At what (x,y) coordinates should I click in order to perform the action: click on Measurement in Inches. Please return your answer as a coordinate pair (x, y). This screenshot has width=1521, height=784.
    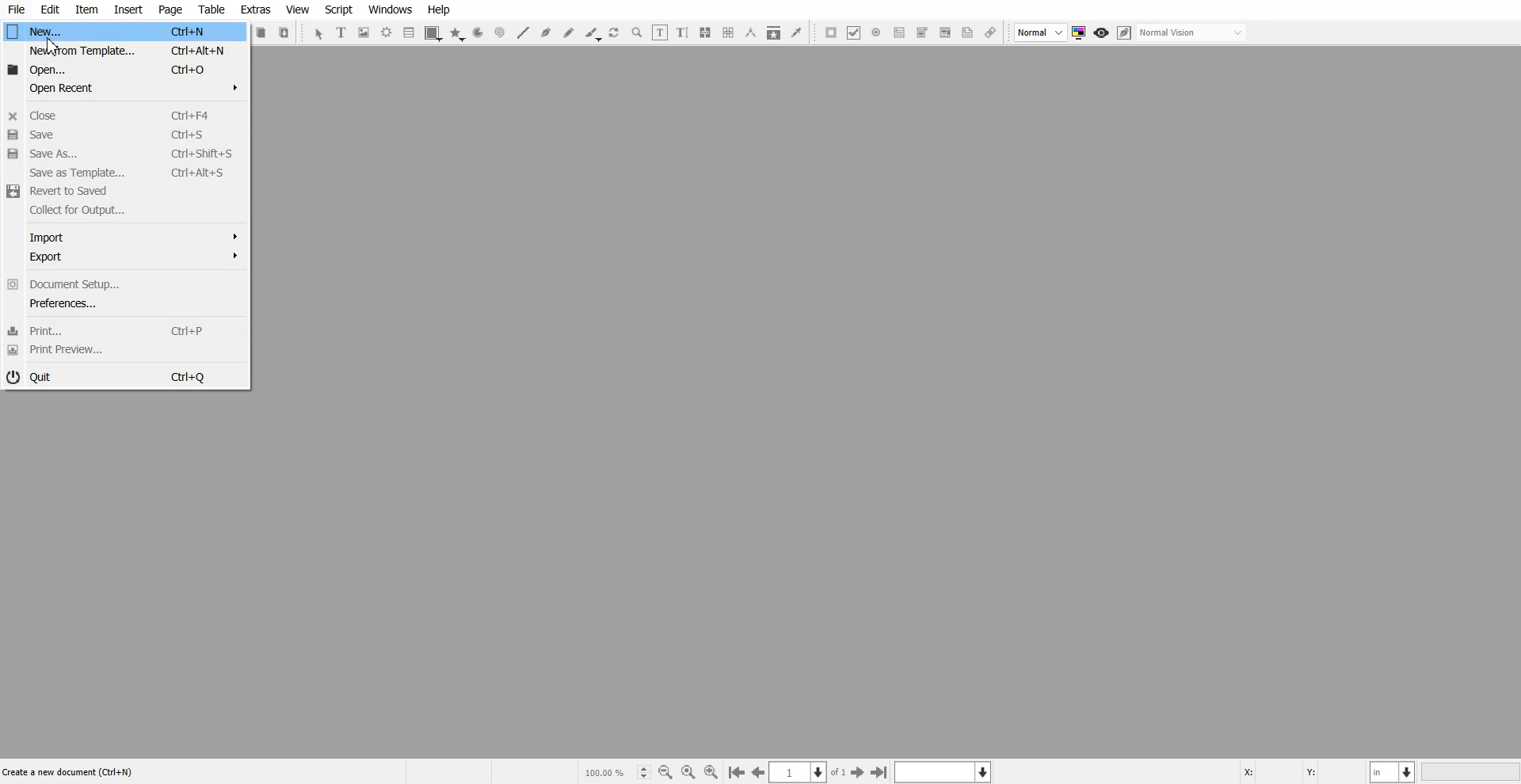
    Looking at the image, I should click on (1393, 771).